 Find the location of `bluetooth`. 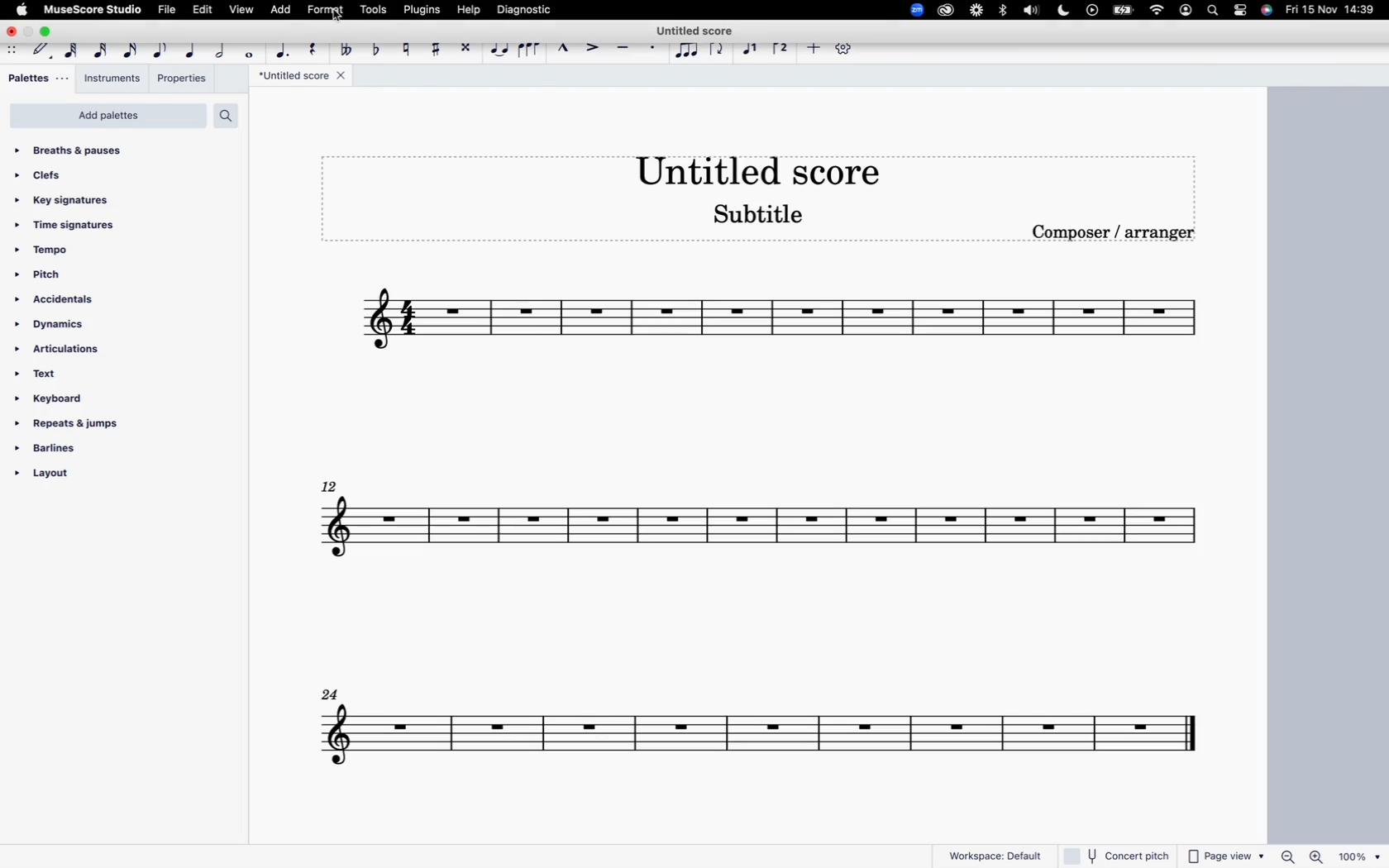

bluetooth is located at coordinates (1001, 12).